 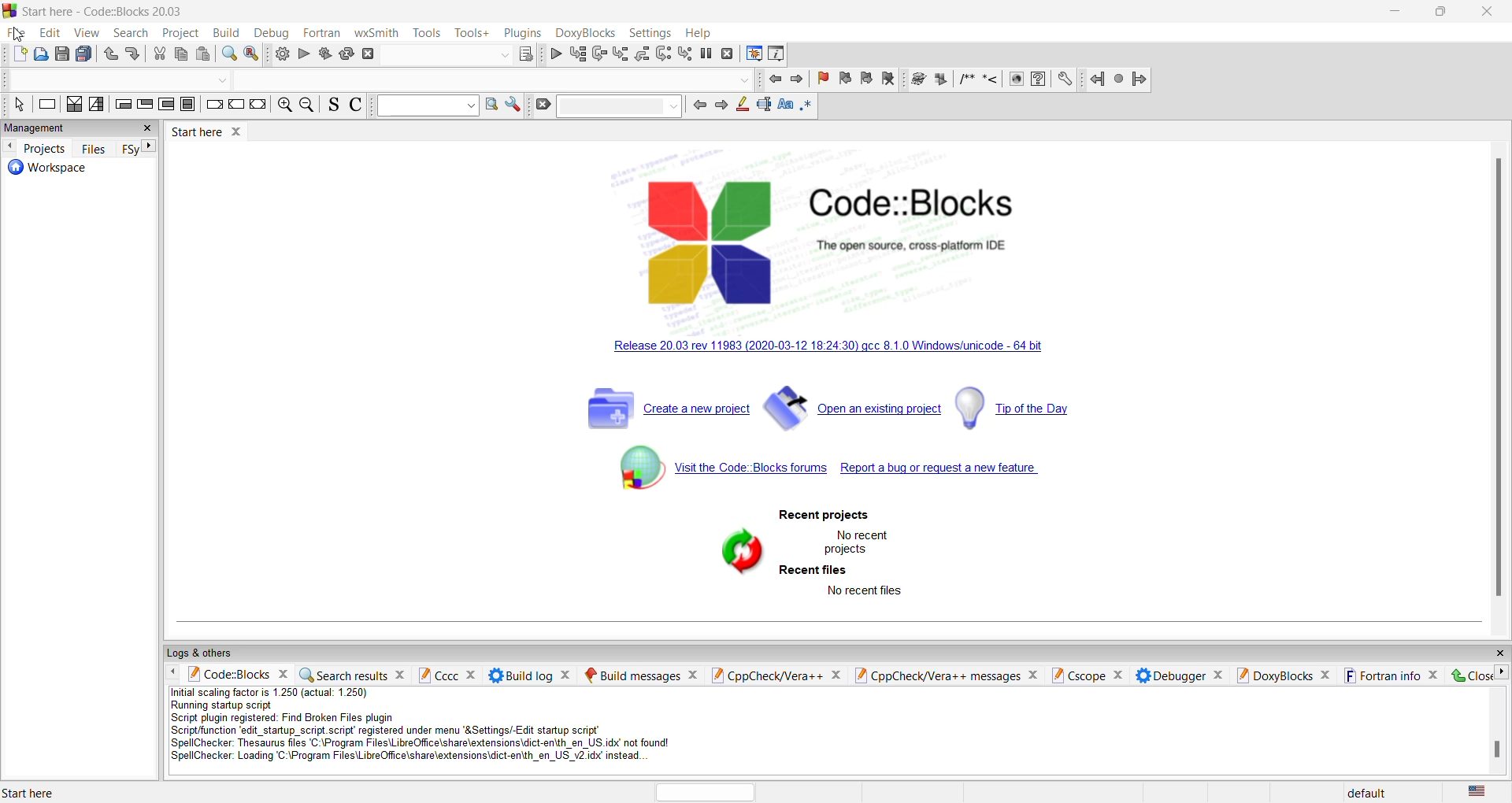 I want to click on debugger, so click(x=1171, y=675).